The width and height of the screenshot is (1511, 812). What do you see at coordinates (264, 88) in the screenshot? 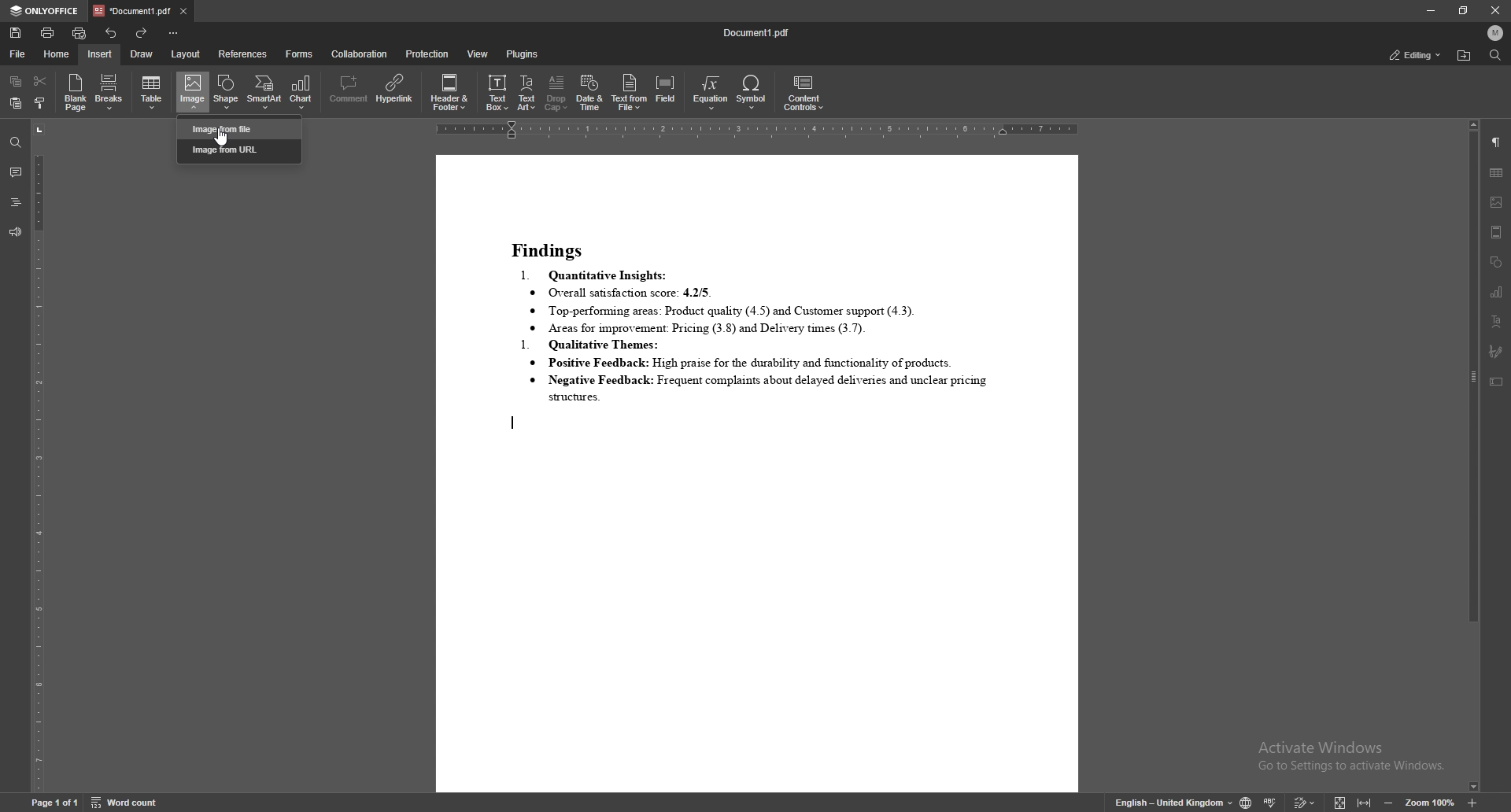
I see `smart art` at bounding box center [264, 88].